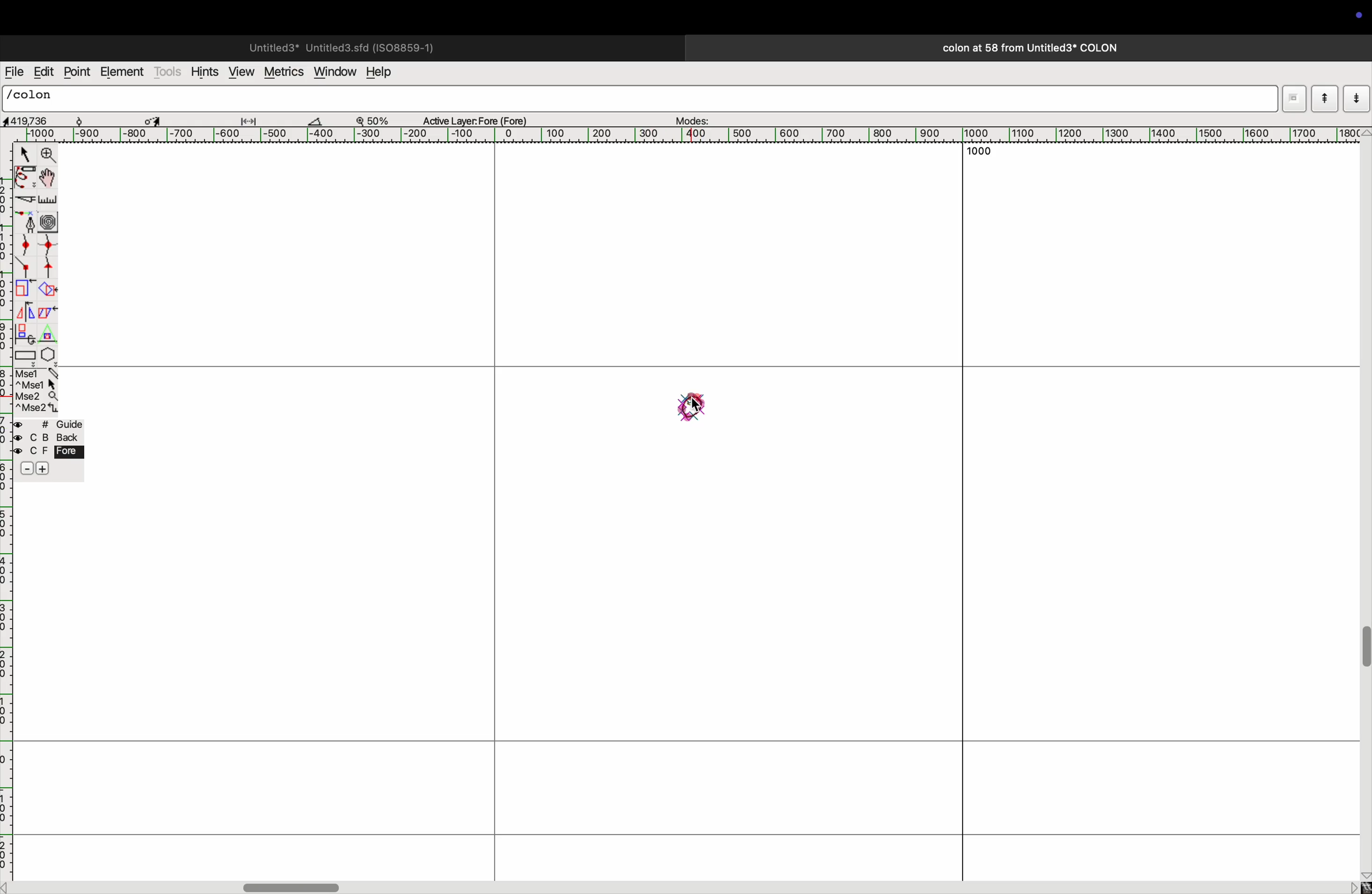 This screenshot has width=1372, height=894. What do you see at coordinates (694, 118) in the screenshot?
I see `modes` at bounding box center [694, 118].